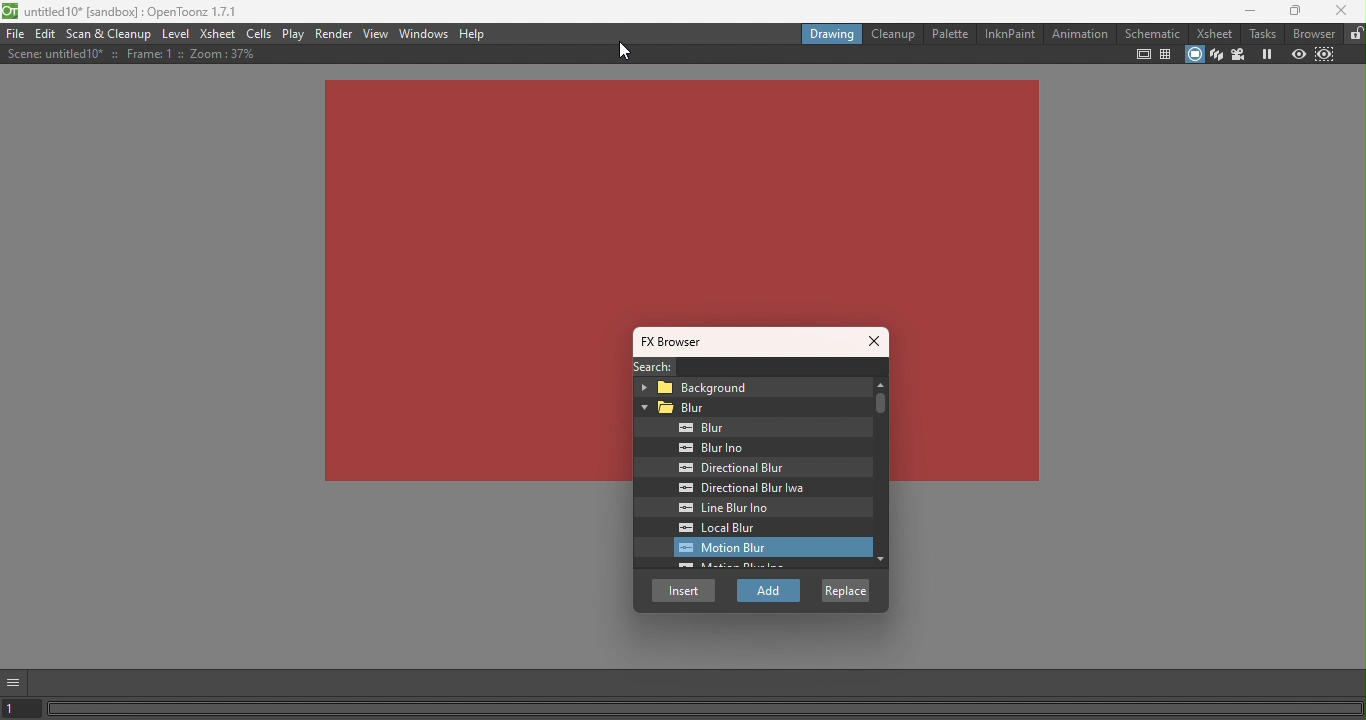  What do you see at coordinates (336, 32) in the screenshot?
I see `Render` at bounding box center [336, 32].